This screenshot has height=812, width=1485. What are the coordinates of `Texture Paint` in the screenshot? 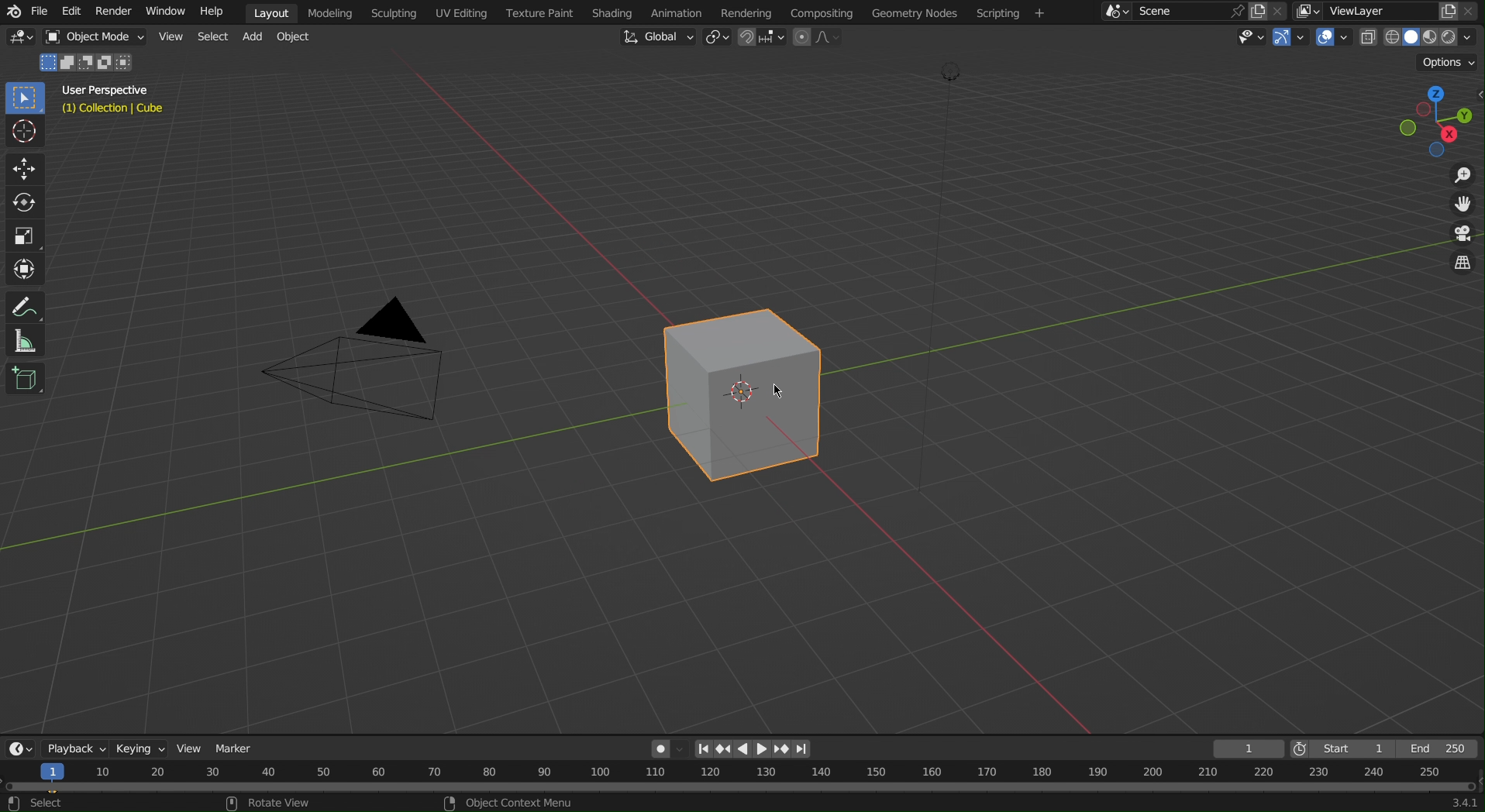 It's located at (539, 13).